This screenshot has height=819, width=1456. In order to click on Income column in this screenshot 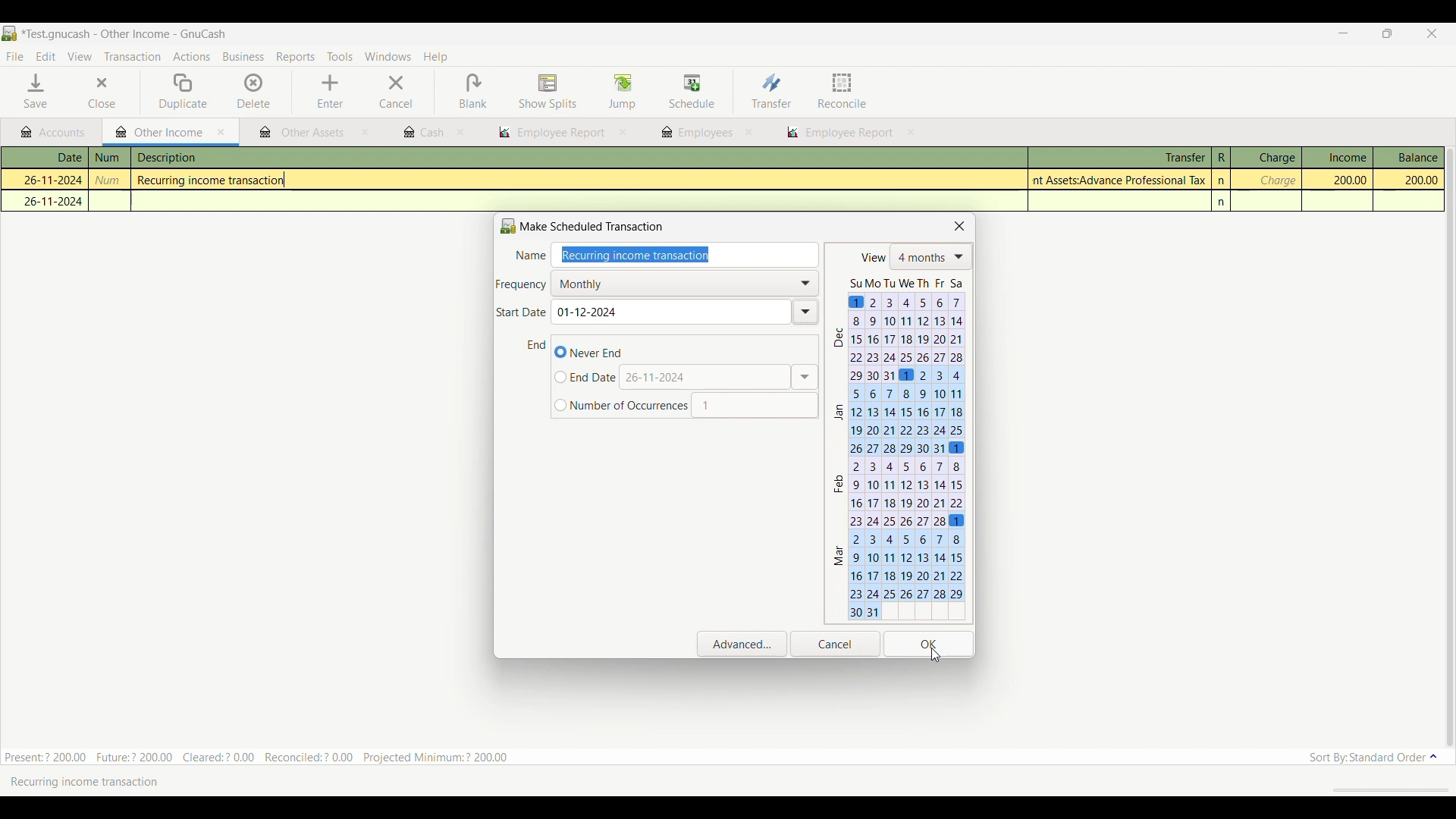, I will do `click(1337, 157)`.